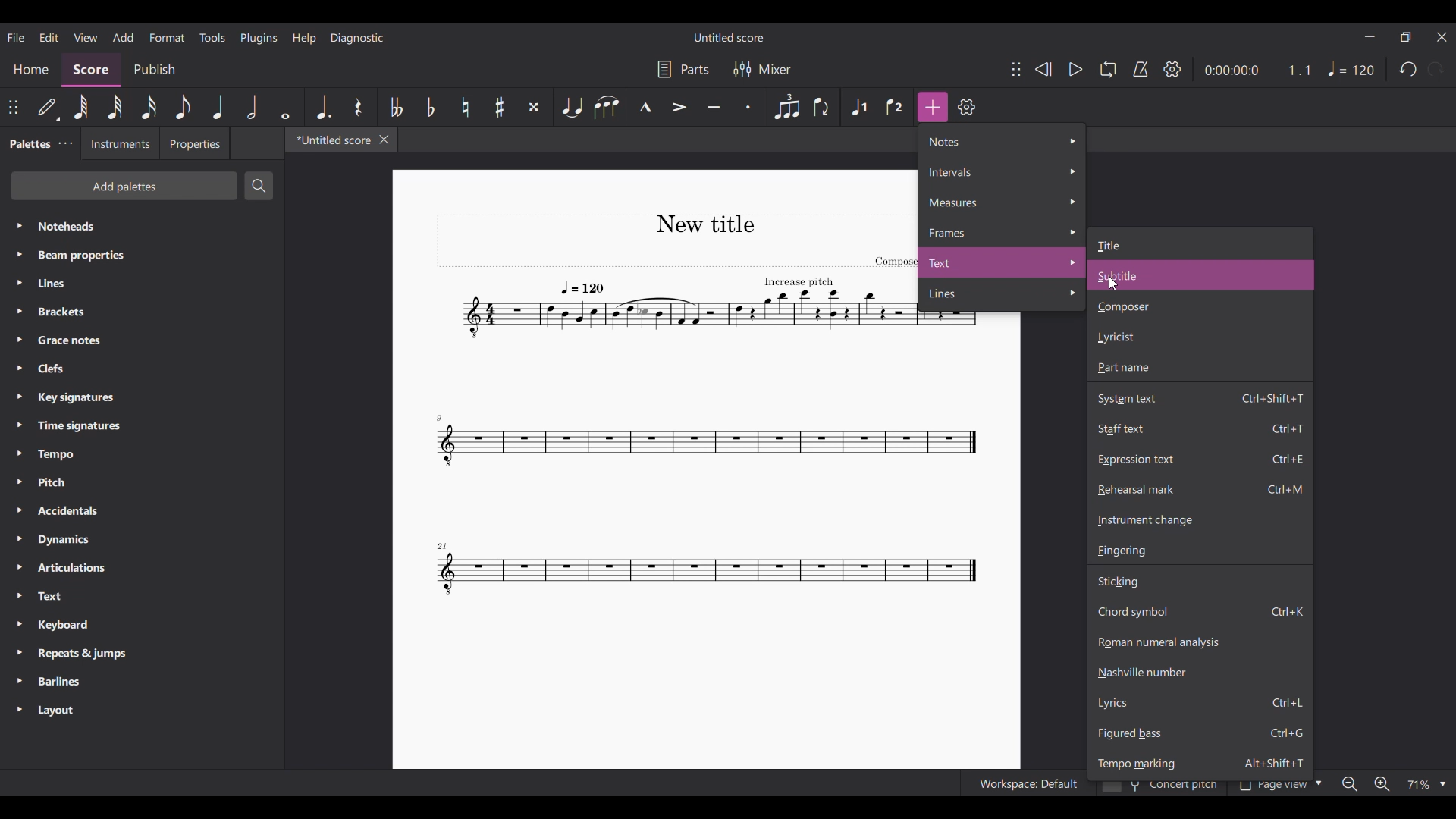  I want to click on Score, current section highlighted, so click(91, 70).